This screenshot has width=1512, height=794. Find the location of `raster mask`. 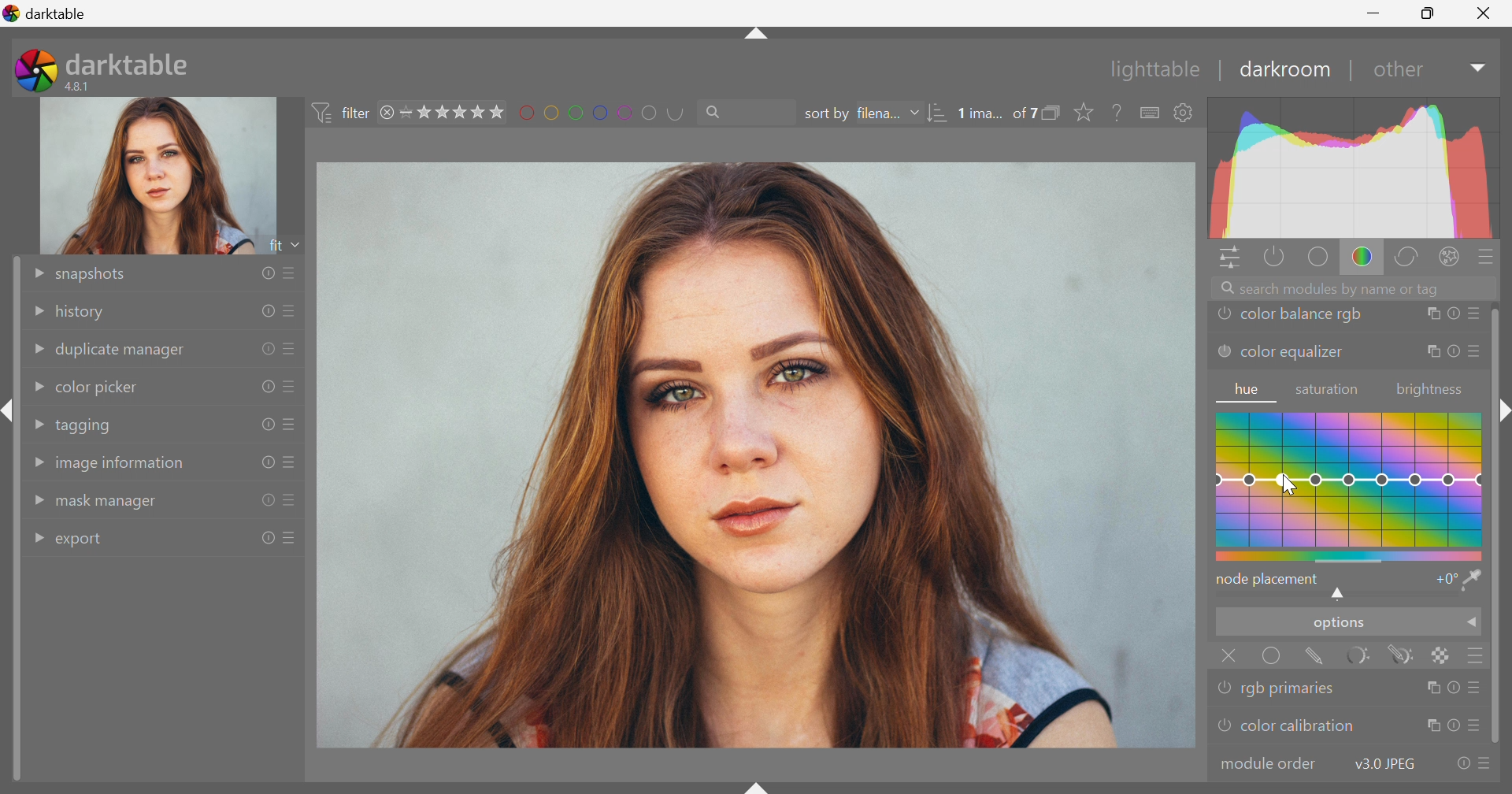

raster mask is located at coordinates (1443, 655).